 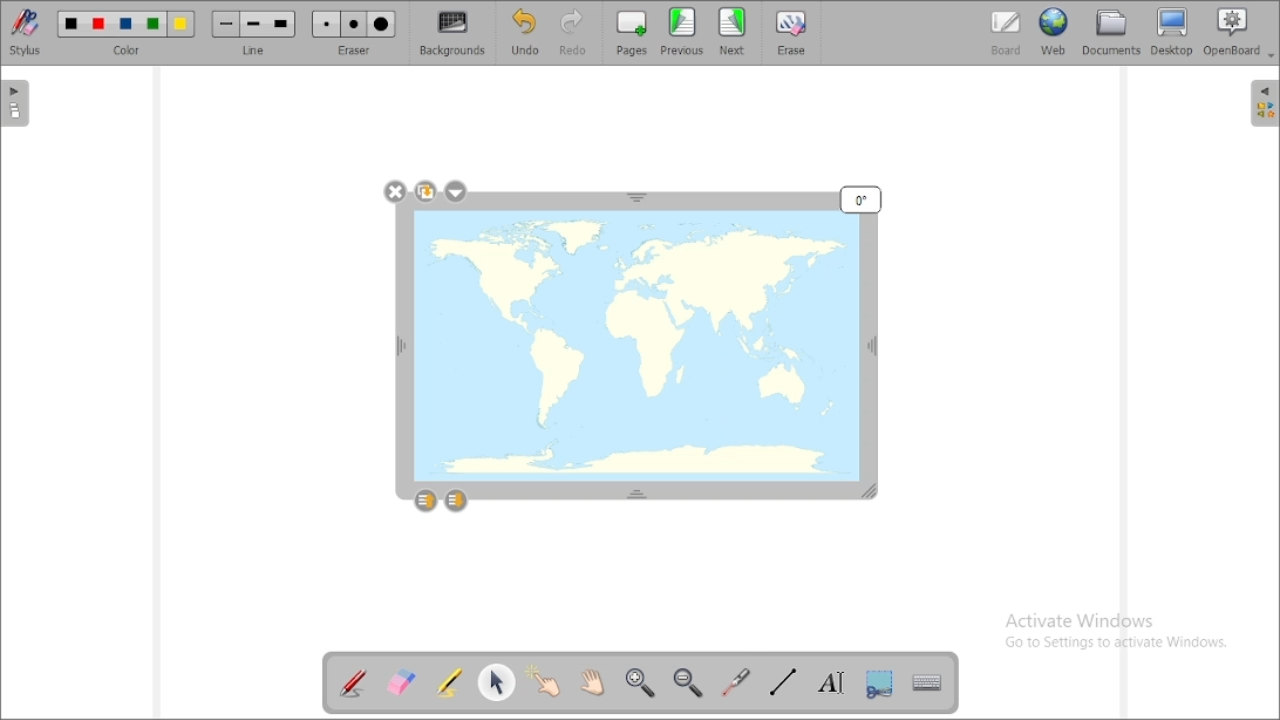 I want to click on next, so click(x=732, y=31).